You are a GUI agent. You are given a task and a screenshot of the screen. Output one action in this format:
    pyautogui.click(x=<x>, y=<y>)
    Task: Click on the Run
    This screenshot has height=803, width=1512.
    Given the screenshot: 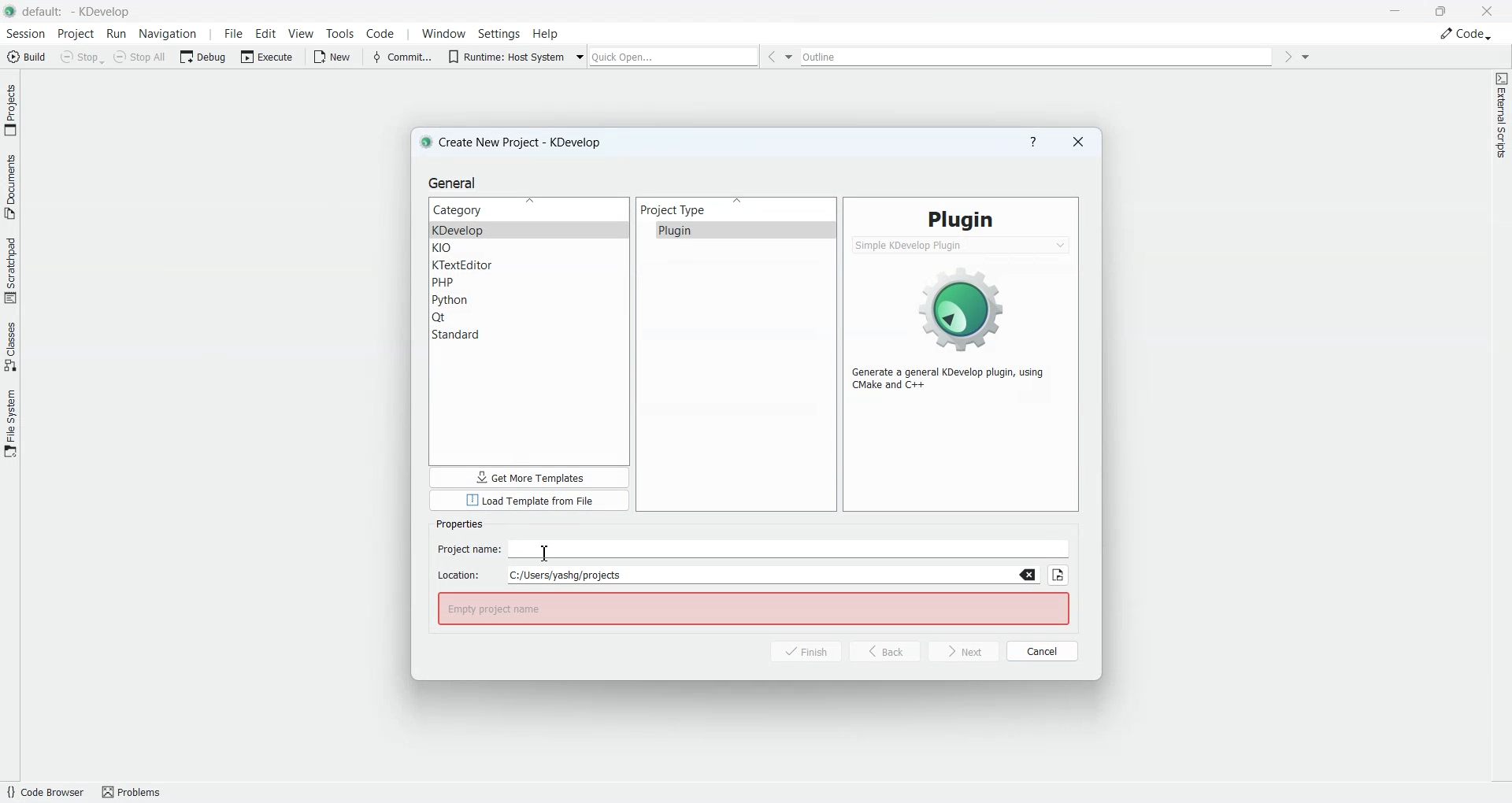 What is the action you would take?
    pyautogui.click(x=118, y=35)
    